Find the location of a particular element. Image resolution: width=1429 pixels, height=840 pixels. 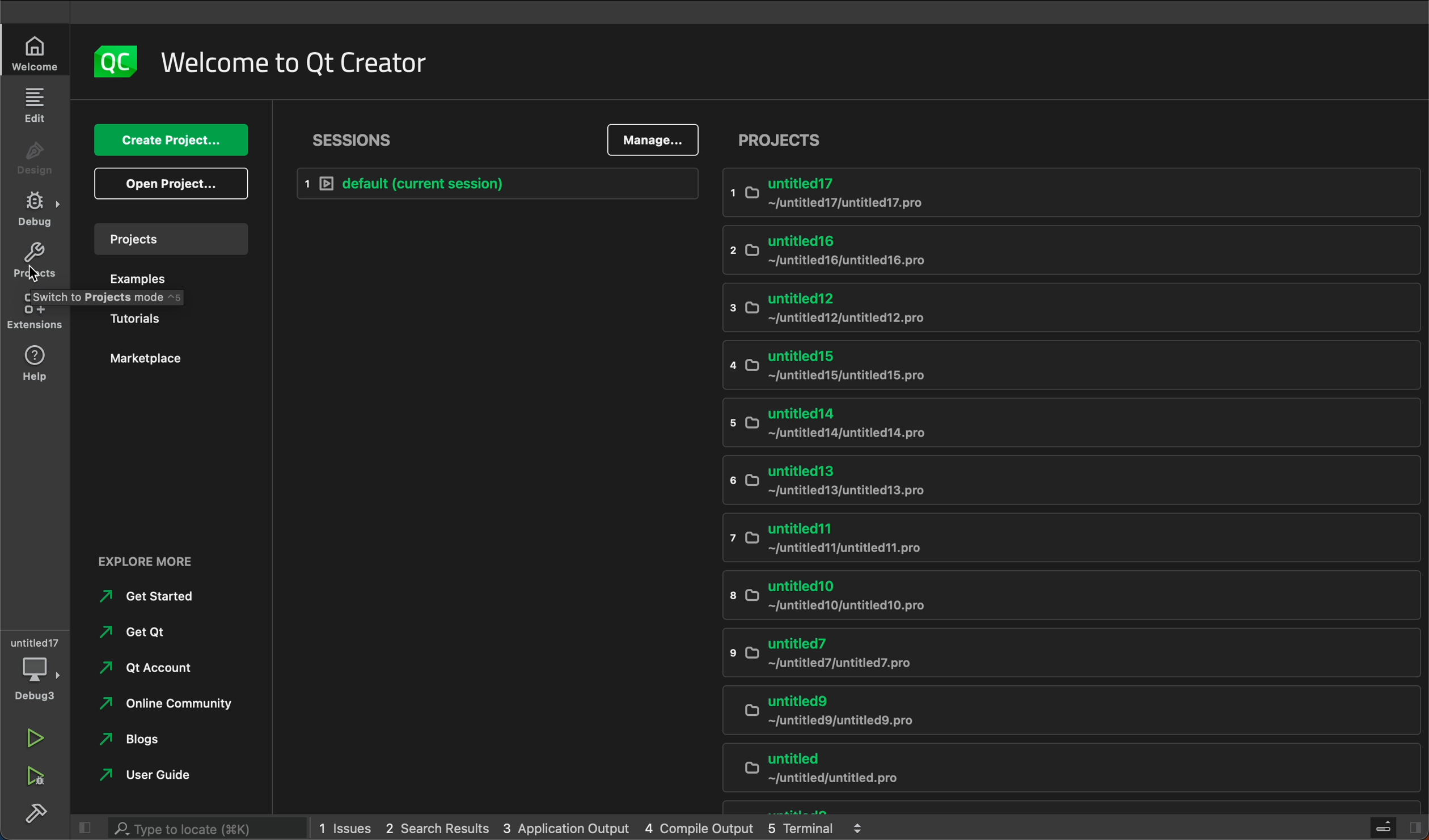

help is located at coordinates (36, 363).